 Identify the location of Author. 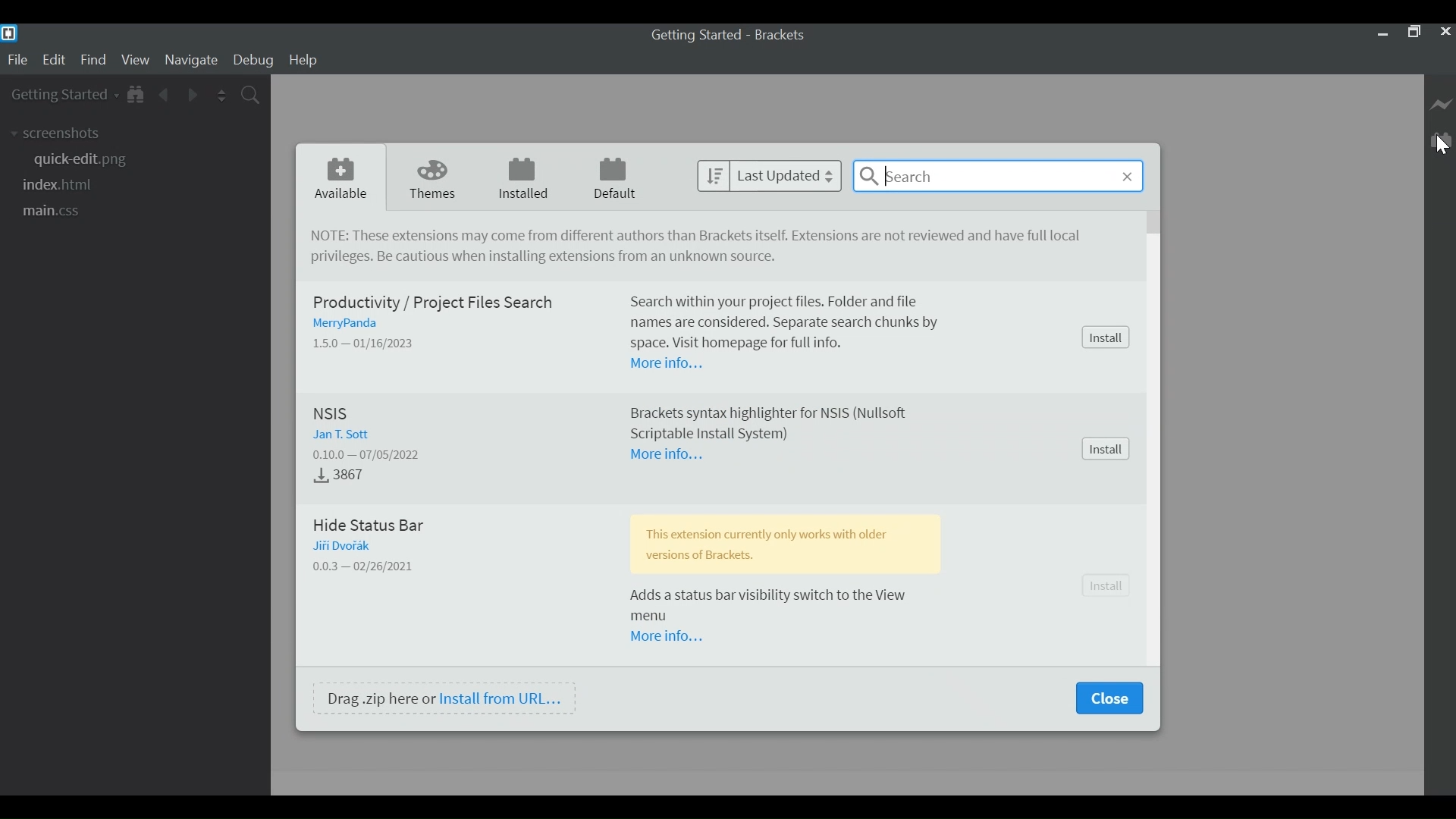
(348, 545).